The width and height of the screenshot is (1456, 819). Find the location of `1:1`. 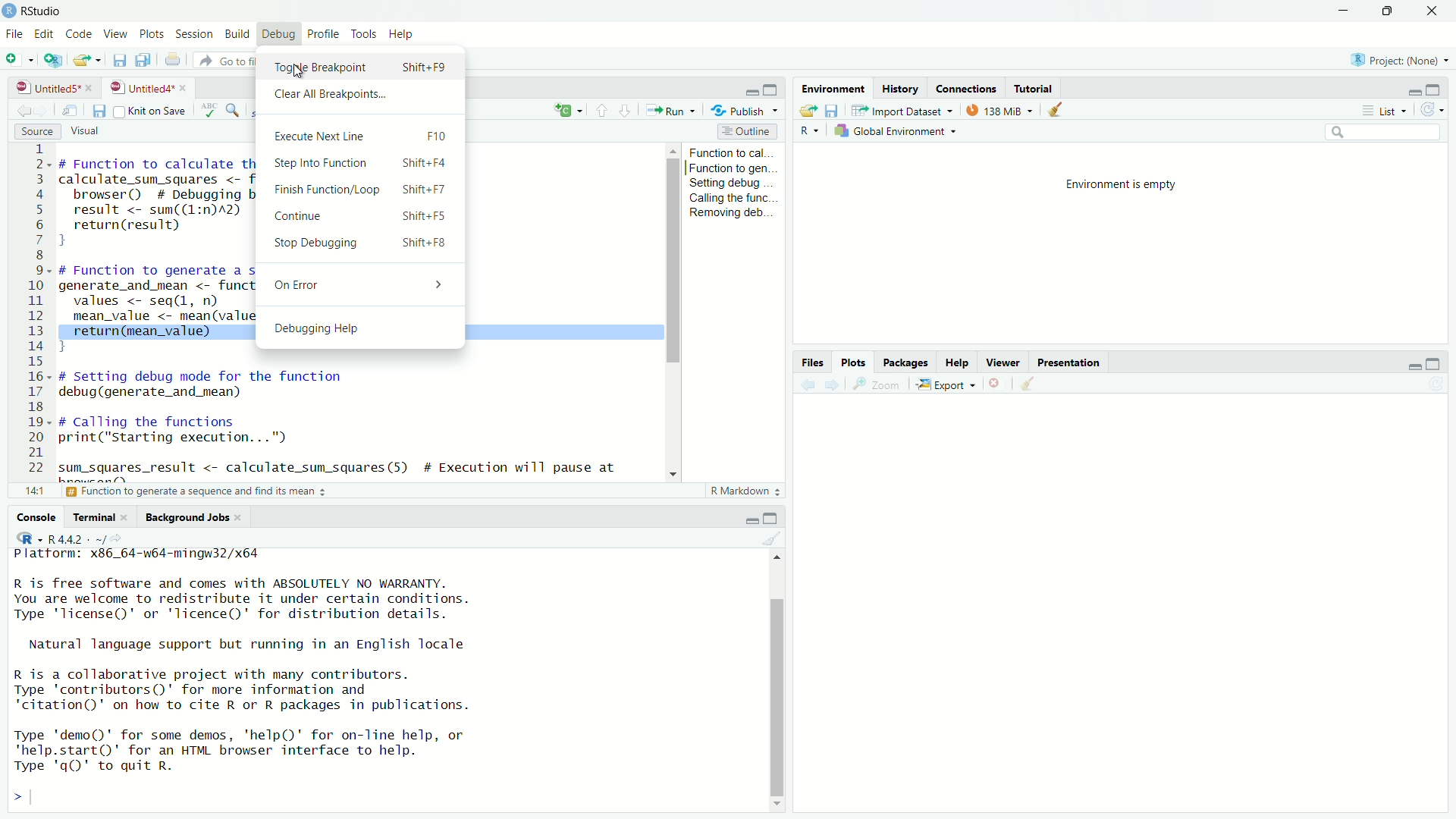

1:1 is located at coordinates (26, 491).